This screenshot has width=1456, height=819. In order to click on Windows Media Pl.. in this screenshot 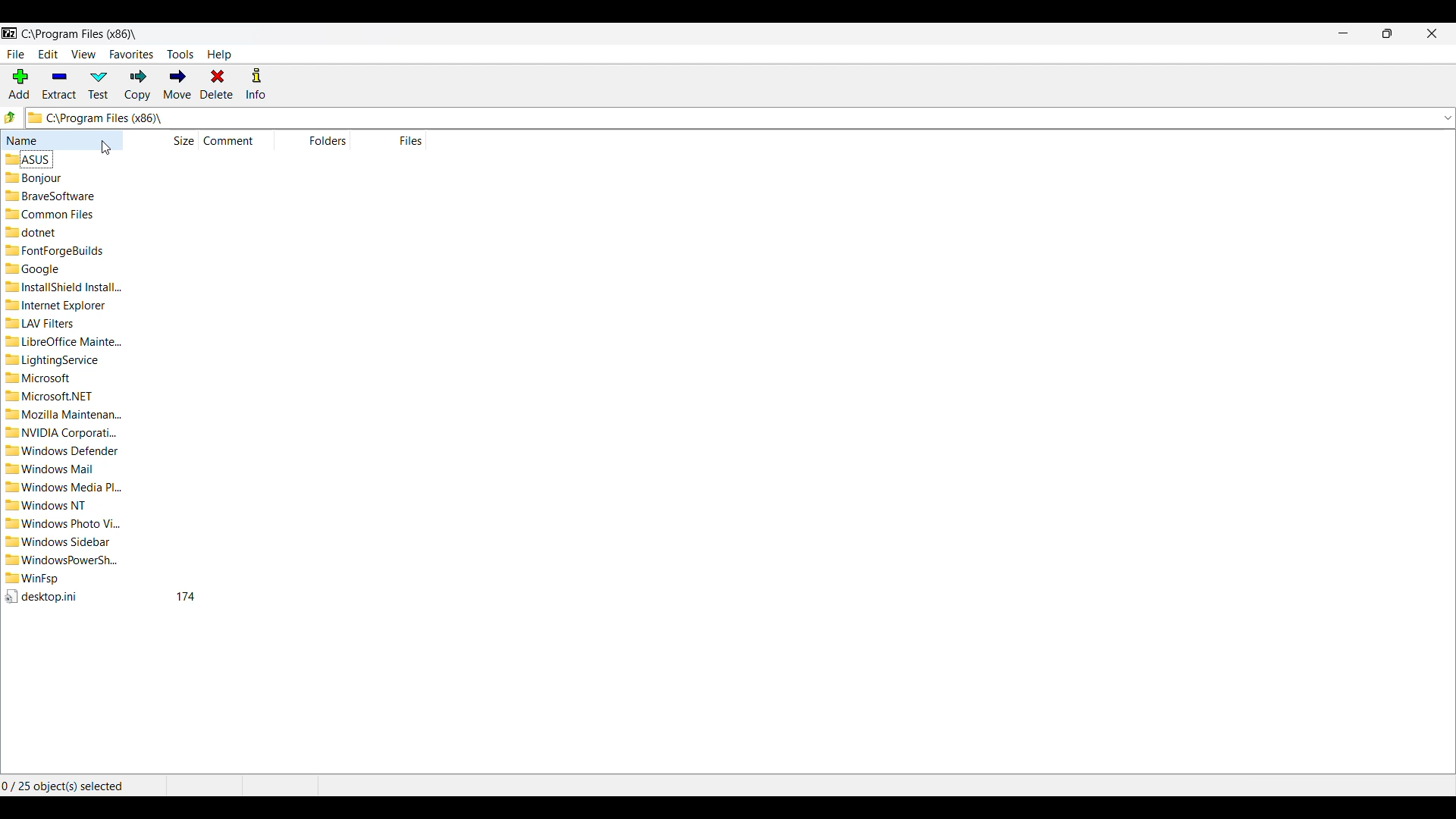, I will do `click(66, 487)`.